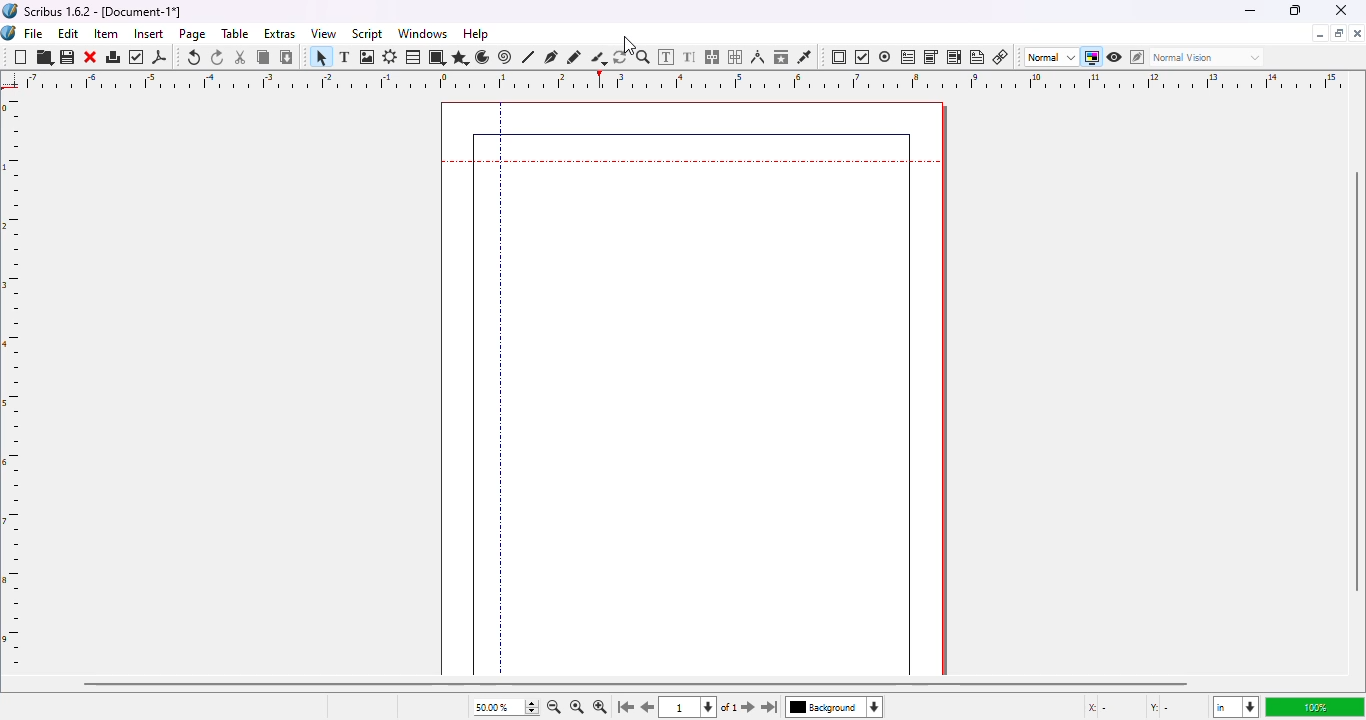 The height and width of the screenshot is (720, 1366). I want to click on close, so click(1342, 10).